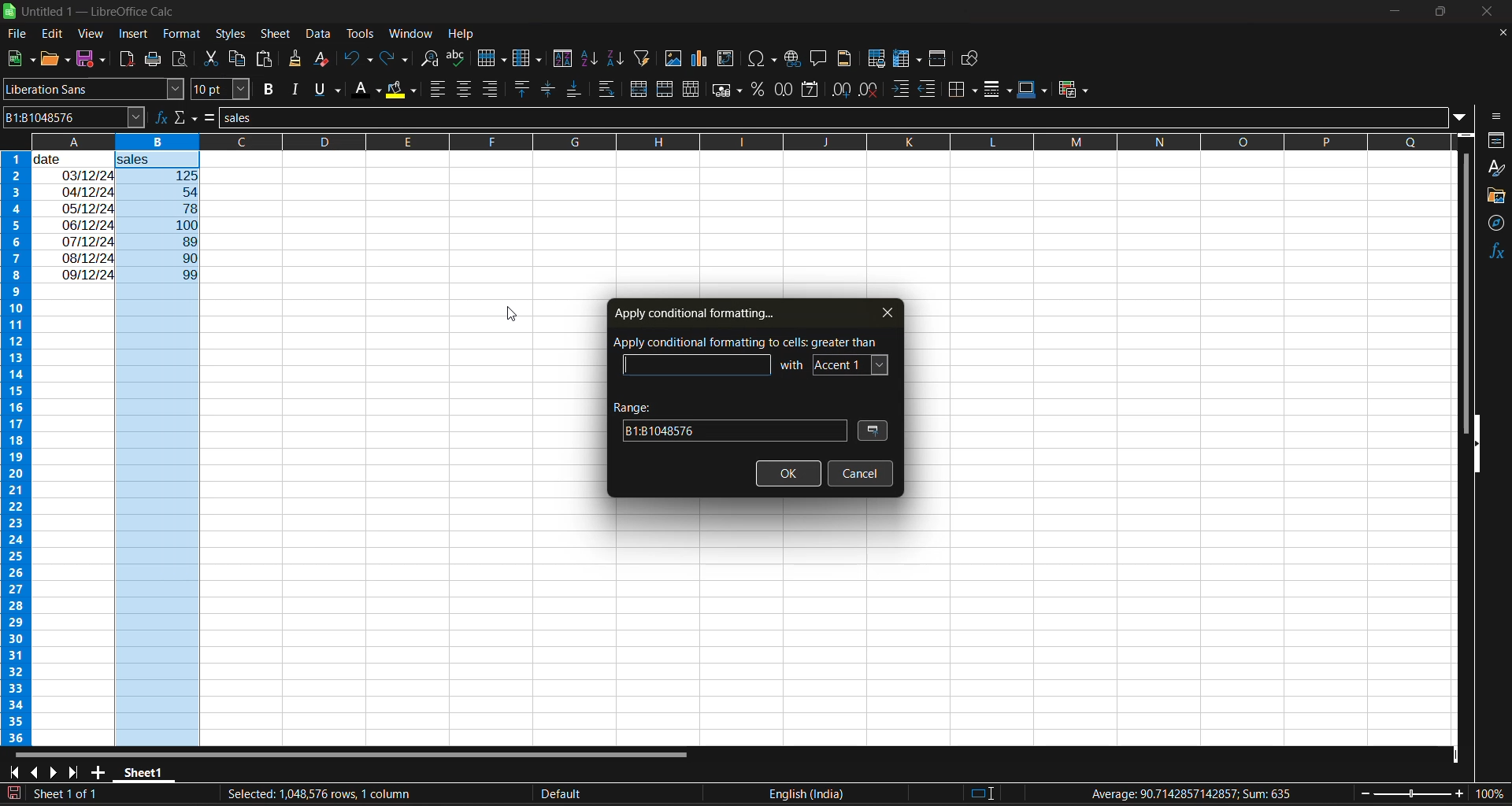  Describe the element at coordinates (1396, 9) in the screenshot. I see `minimize` at that location.